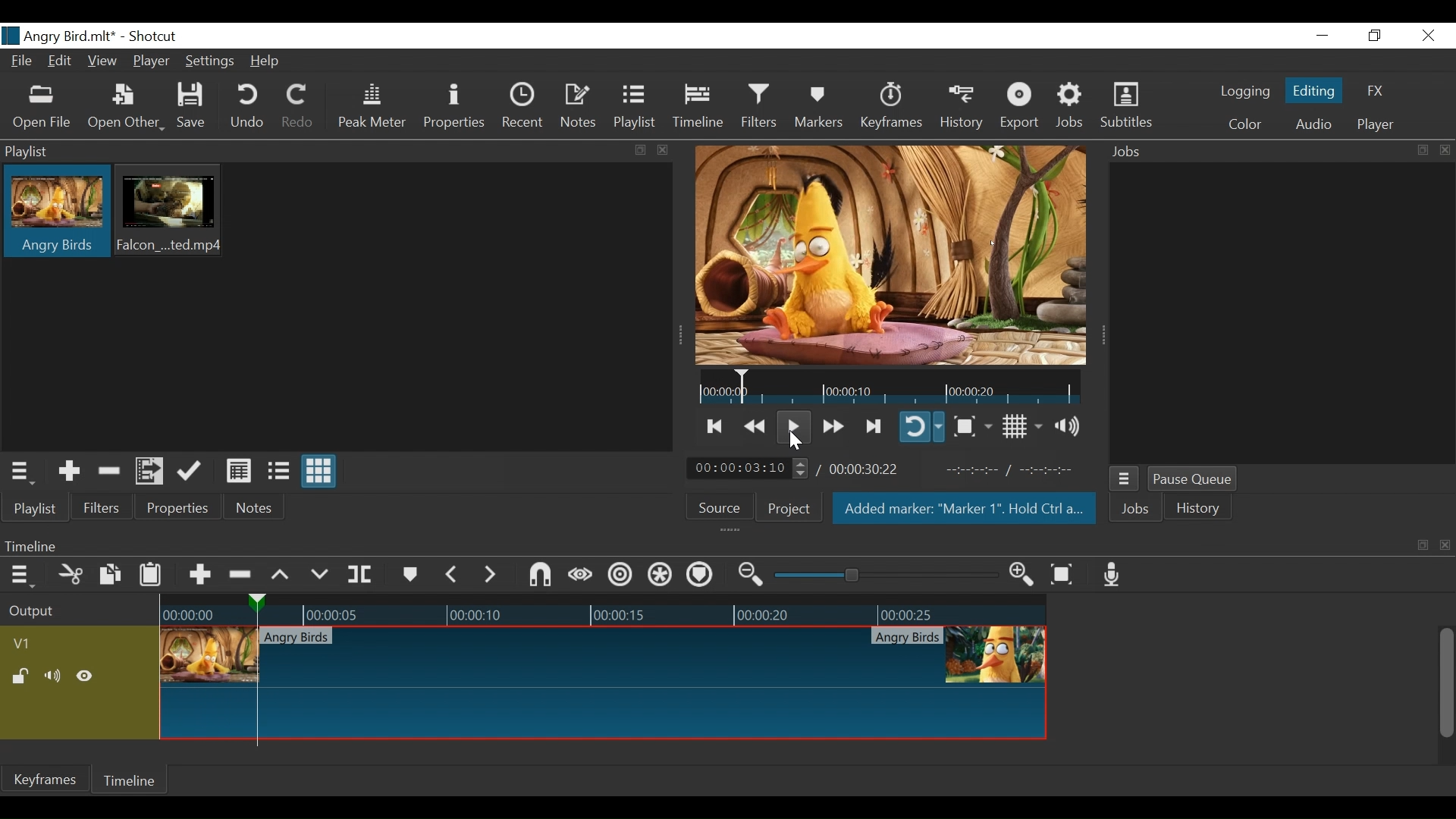  What do you see at coordinates (180, 509) in the screenshot?
I see `Properties` at bounding box center [180, 509].